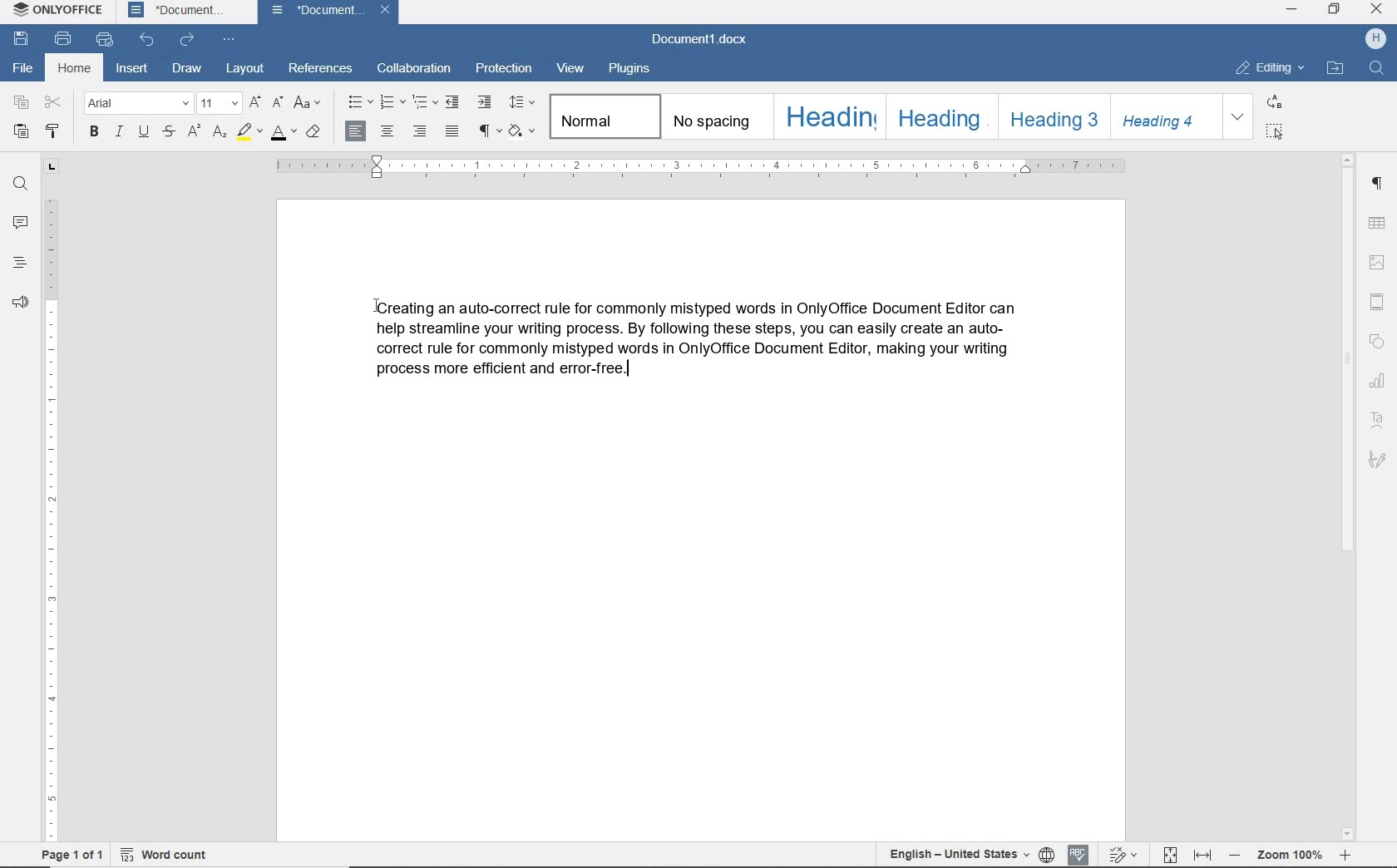 The height and width of the screenshot is (868, 1397). I want to click on collaboration, so click(412, 72).